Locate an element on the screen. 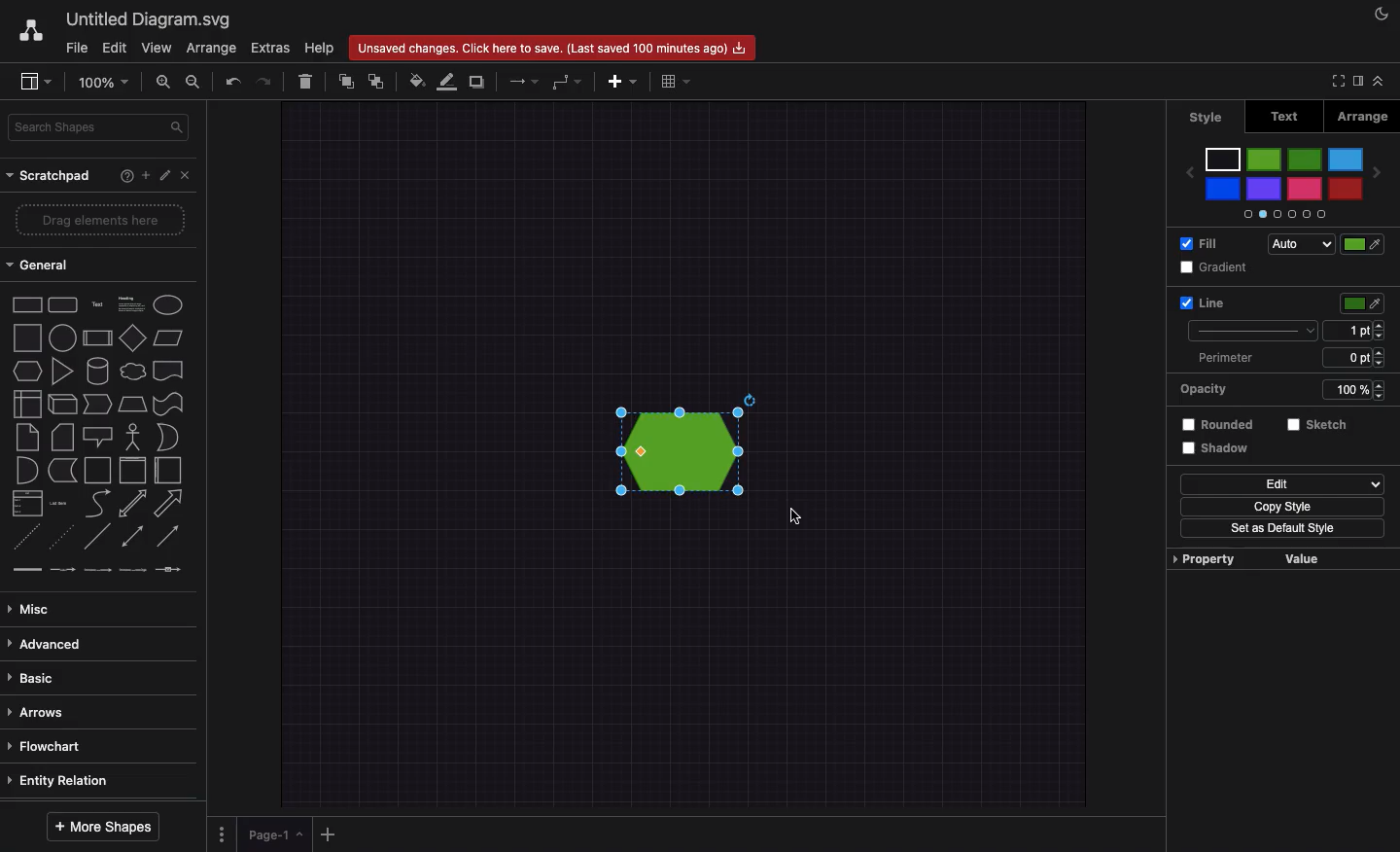 The image size is (1400, 852). Arrows is located at coordinates (523, 81).